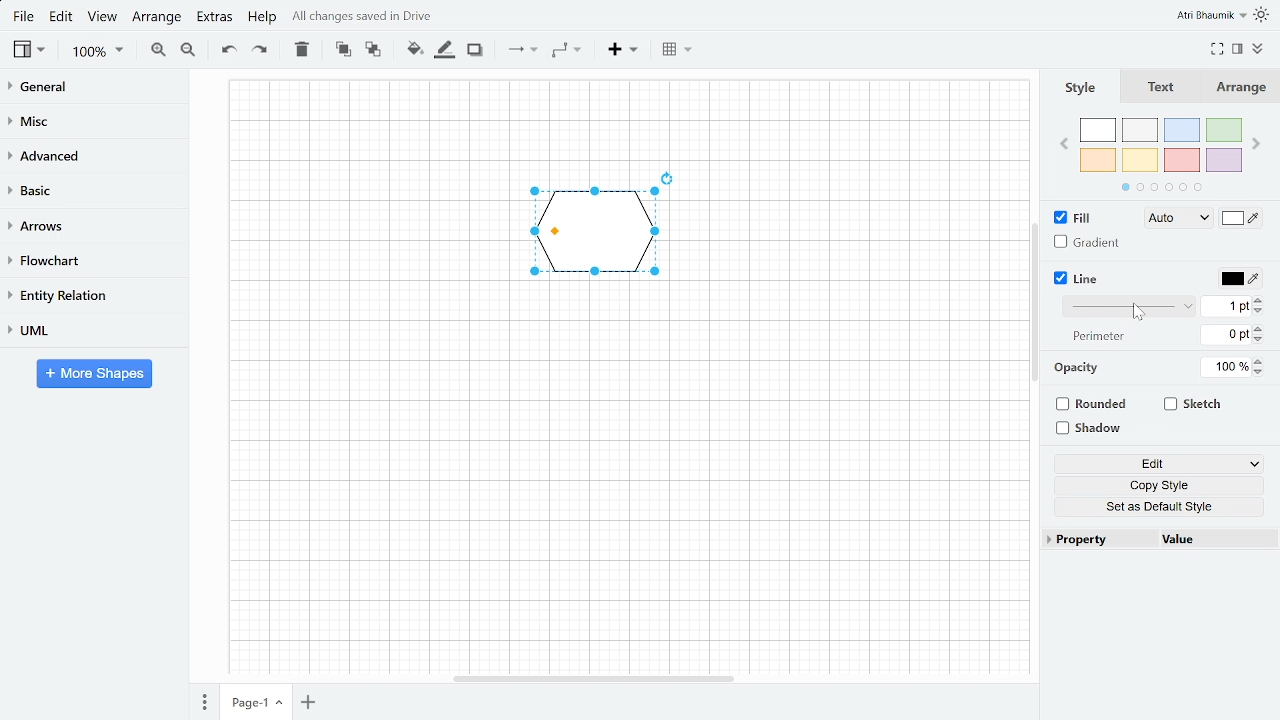 Image resolution: width=1280 pixels, height=720 pixels. I want to click on Indicates more section of colours to choose from, so click(1162, 187).